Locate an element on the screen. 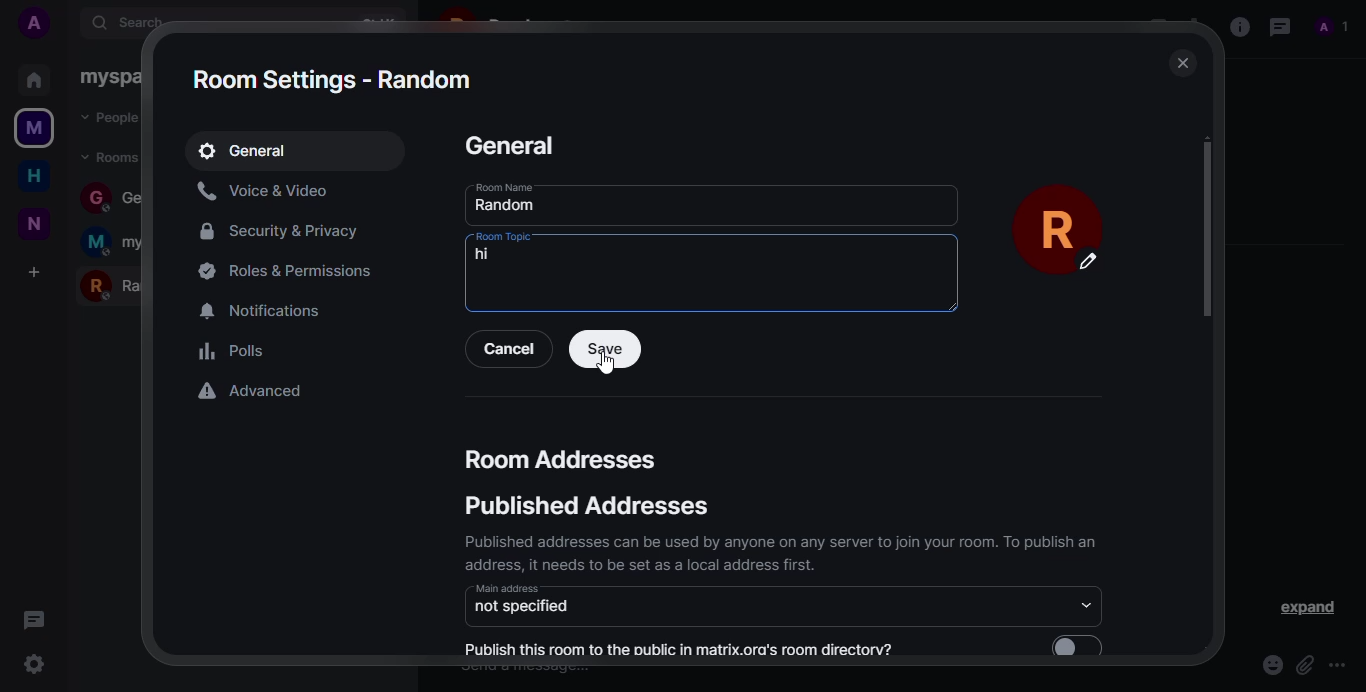 The height and width of the screenshot is (692, 1366). threads is located at coordinates (1279, 28).